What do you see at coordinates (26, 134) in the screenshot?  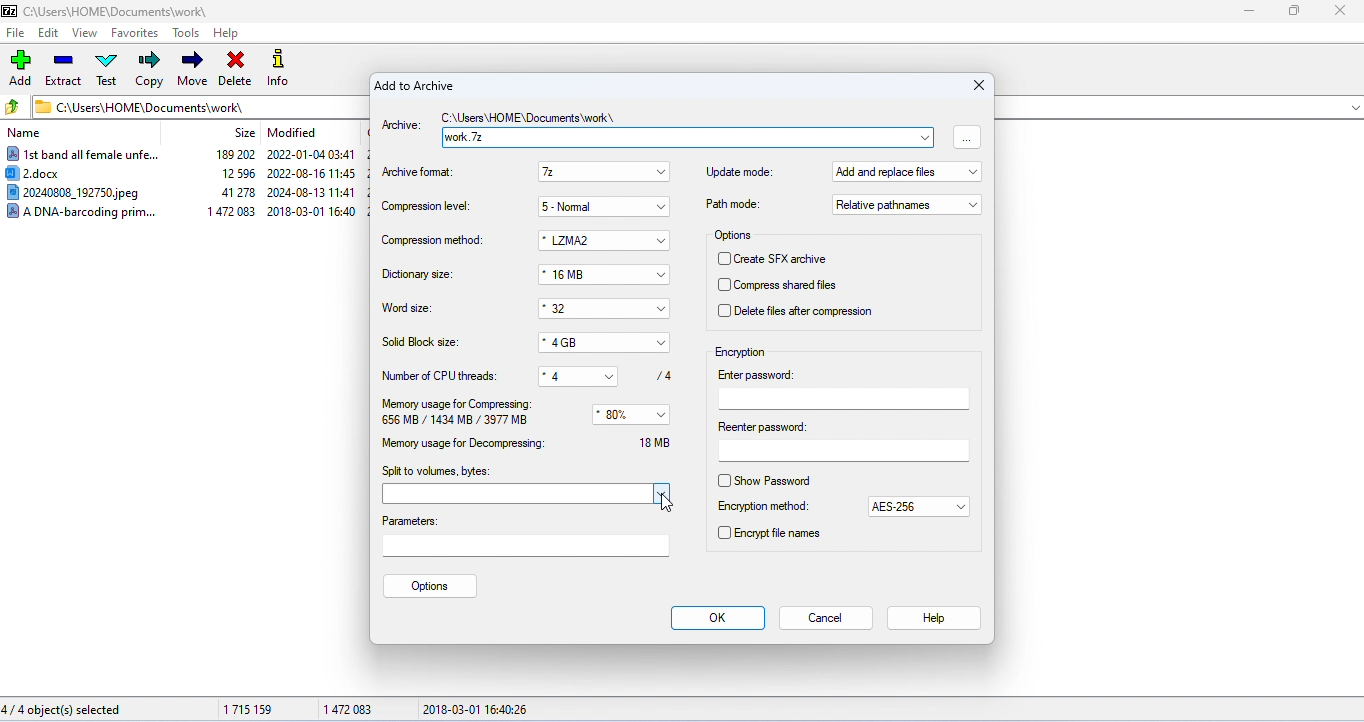 I see `name` at bounding box center [26, 134].